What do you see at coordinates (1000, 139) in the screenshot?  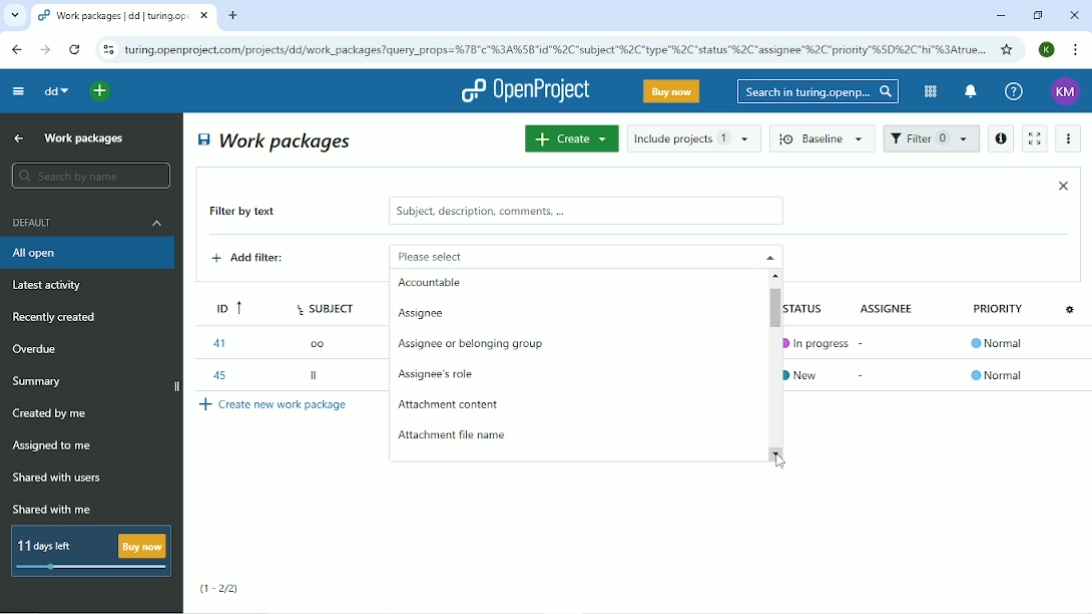 I see `Open details view` at bounding box center [1000, 139].